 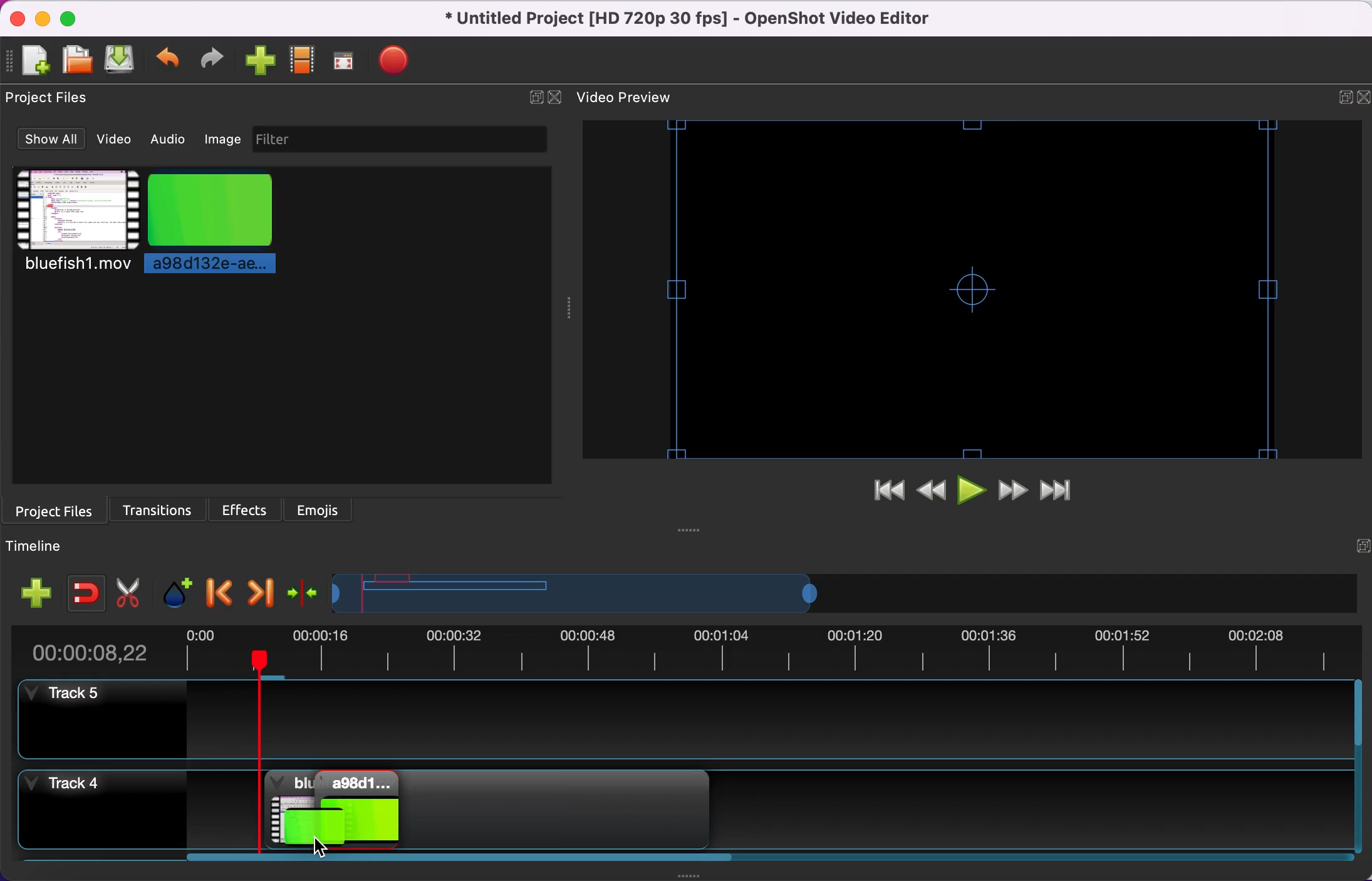 I want to click on add marker, so click(x=179, y=591).